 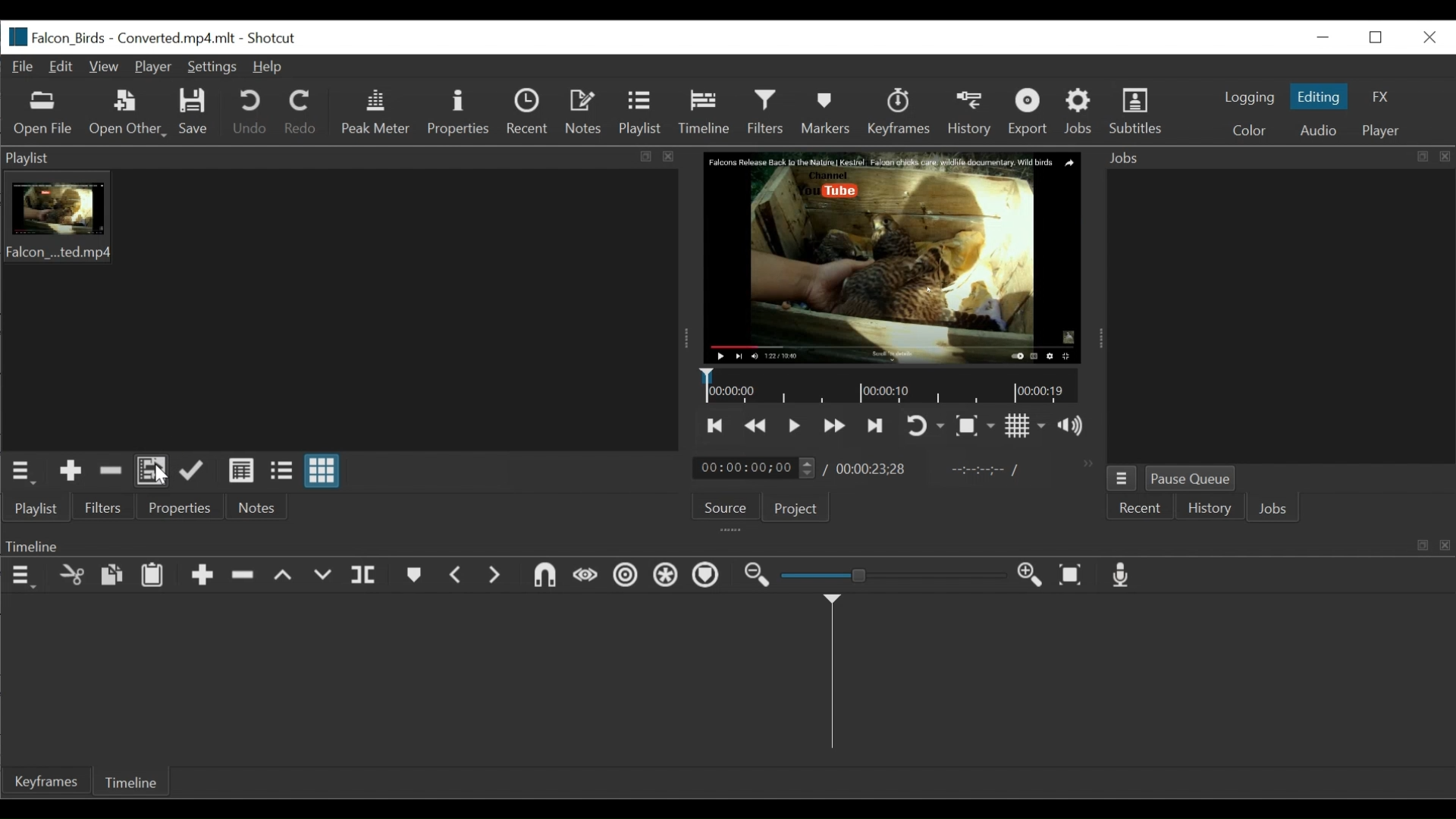 I want to click on Record audio, so click(x=1125, y=576).